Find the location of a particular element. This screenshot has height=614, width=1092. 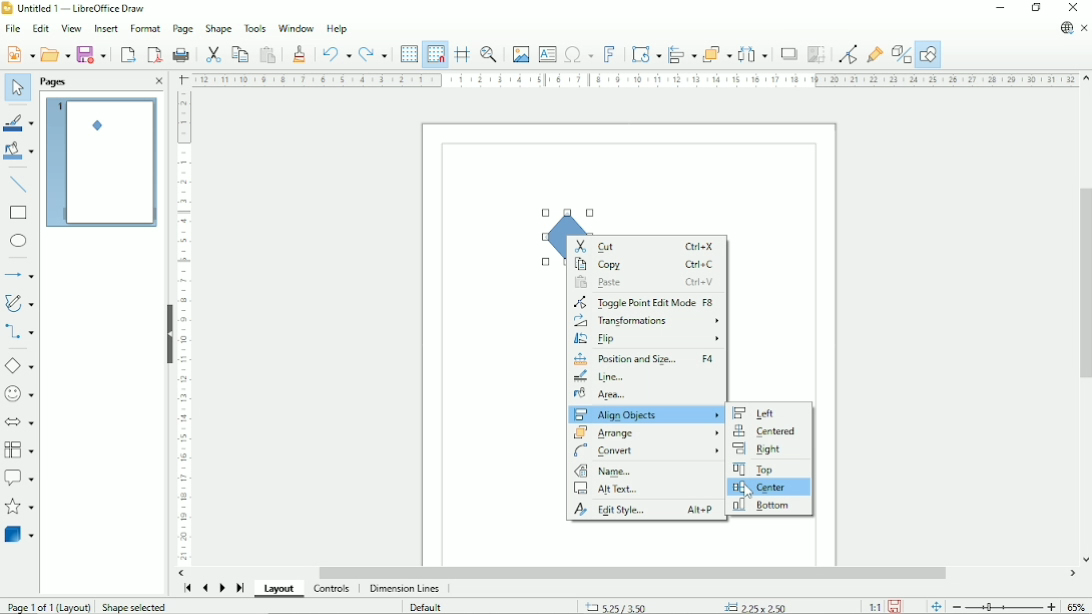

Undo is located at coordinates (335, 53).